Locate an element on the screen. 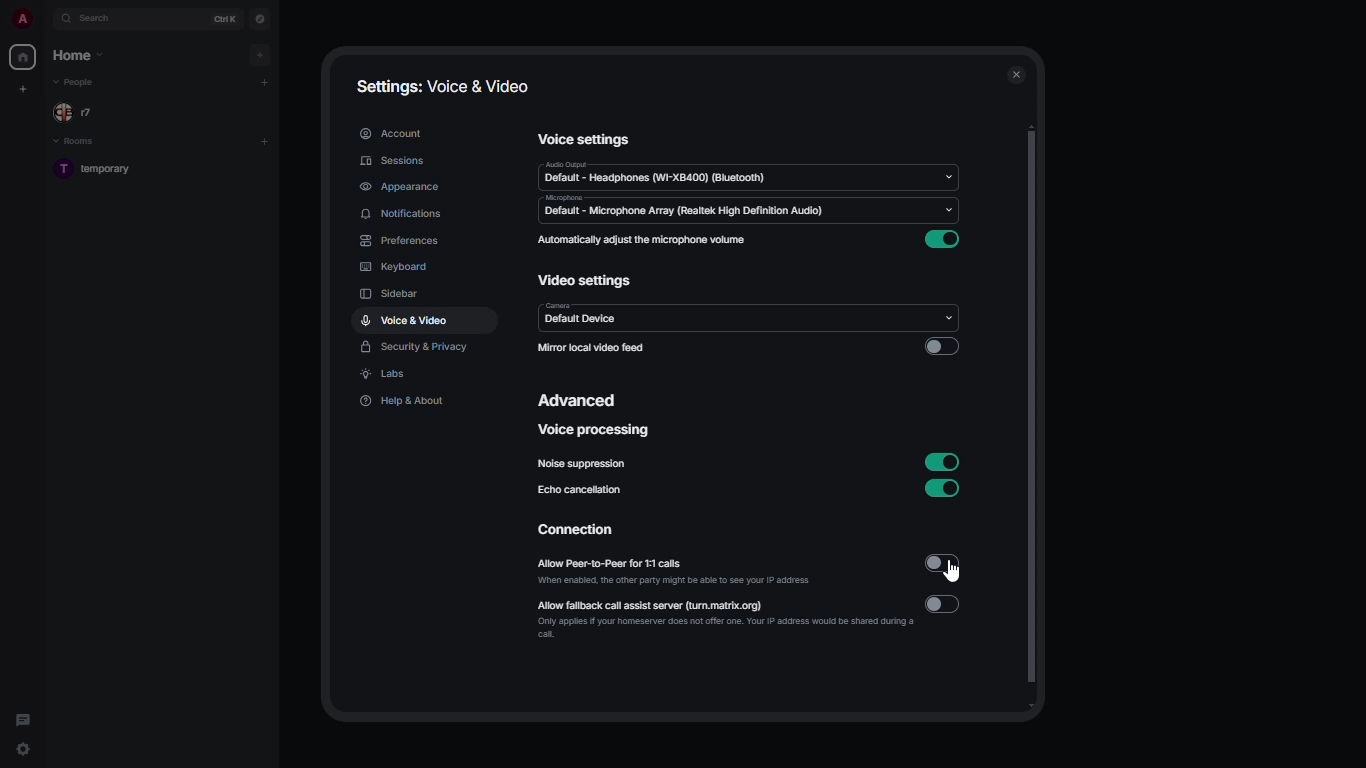 Image resolution: width=1366 pixels, height=768 pixels. disabled is located at coordinates (942, 563).